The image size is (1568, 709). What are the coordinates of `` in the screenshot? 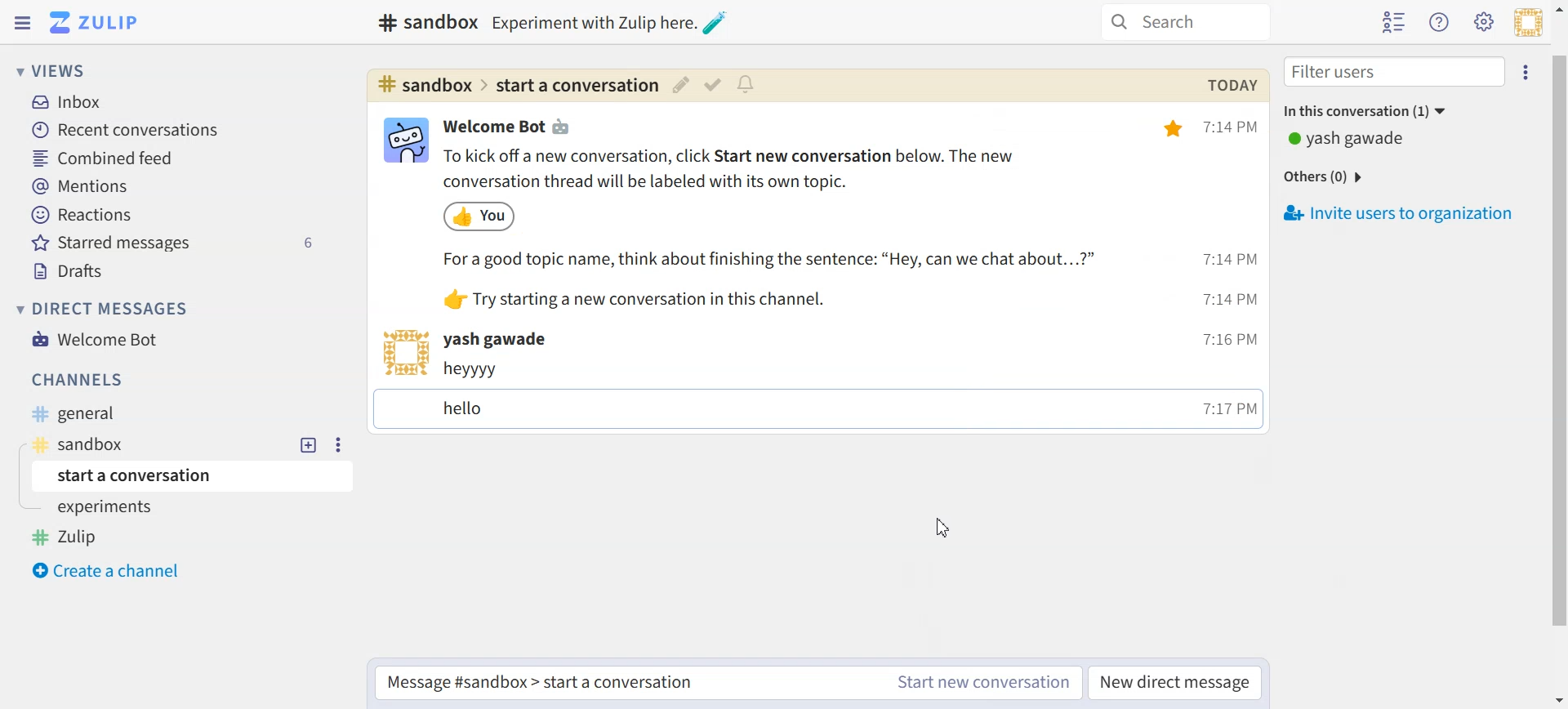 It's located at (673, 298).